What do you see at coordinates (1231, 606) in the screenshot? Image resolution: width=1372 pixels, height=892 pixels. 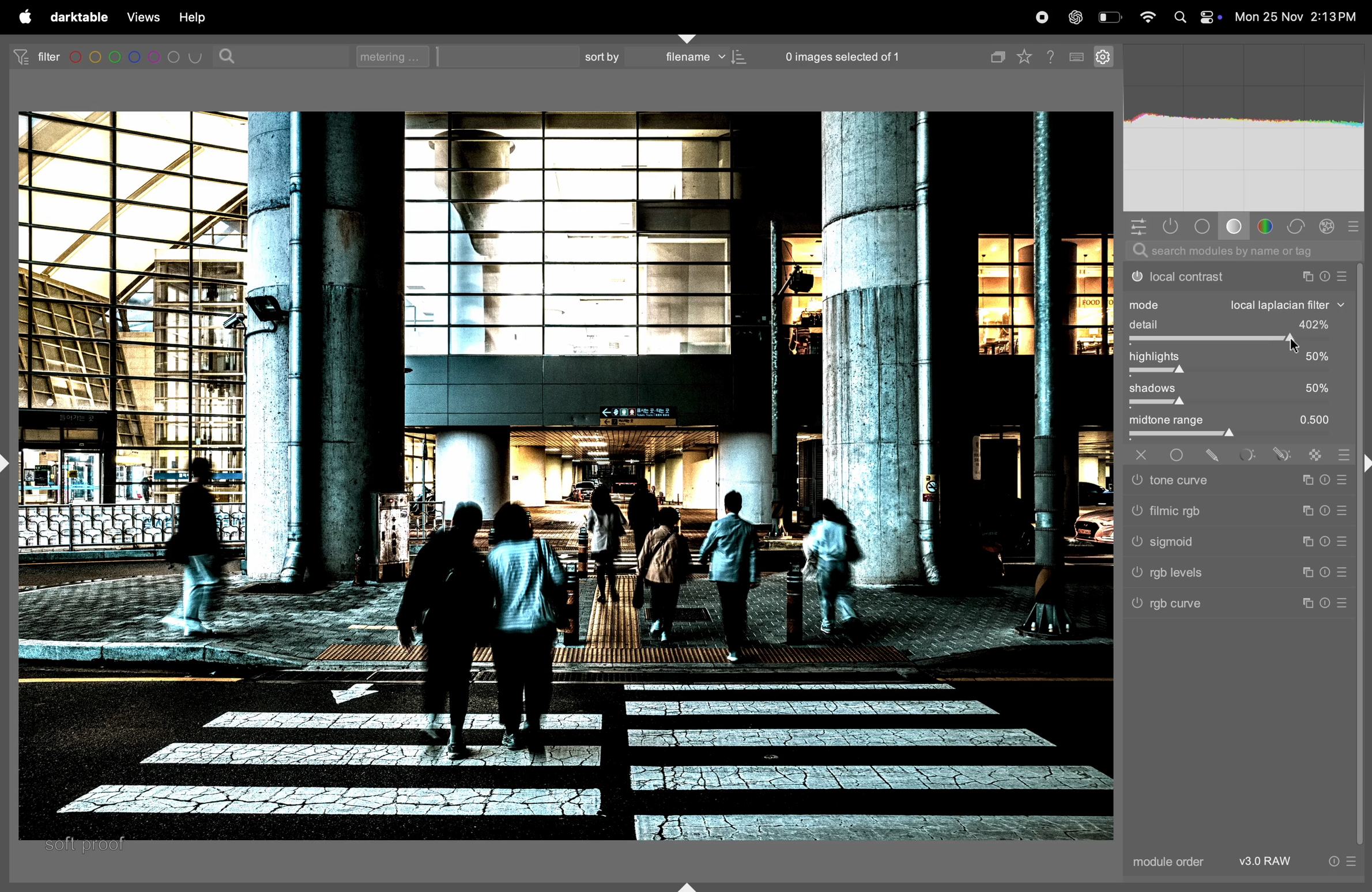 I see `rgb curve` at bounding box center [1231, 606].